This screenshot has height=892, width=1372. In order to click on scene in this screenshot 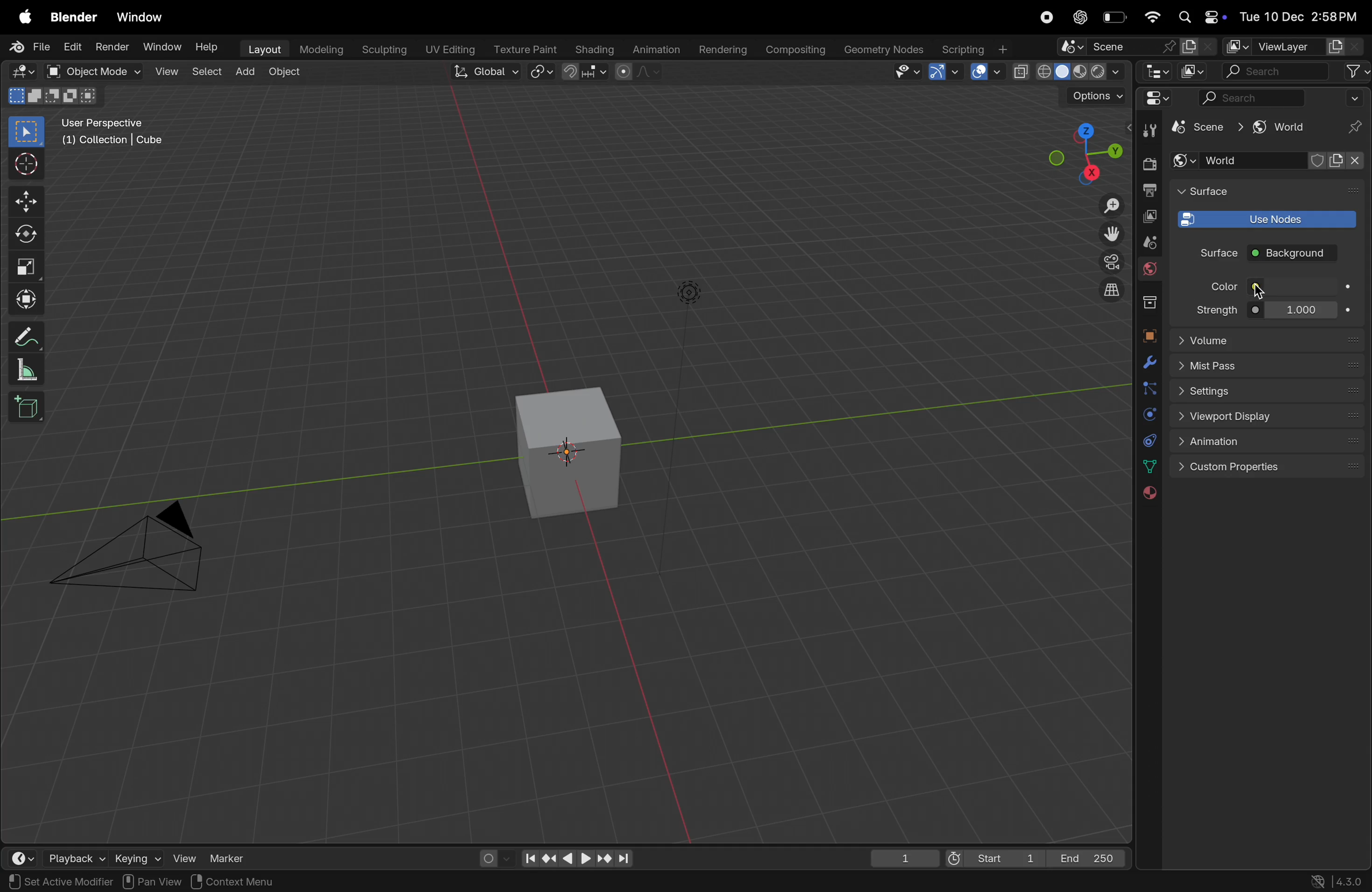, I will do `click(1203, 128)`.